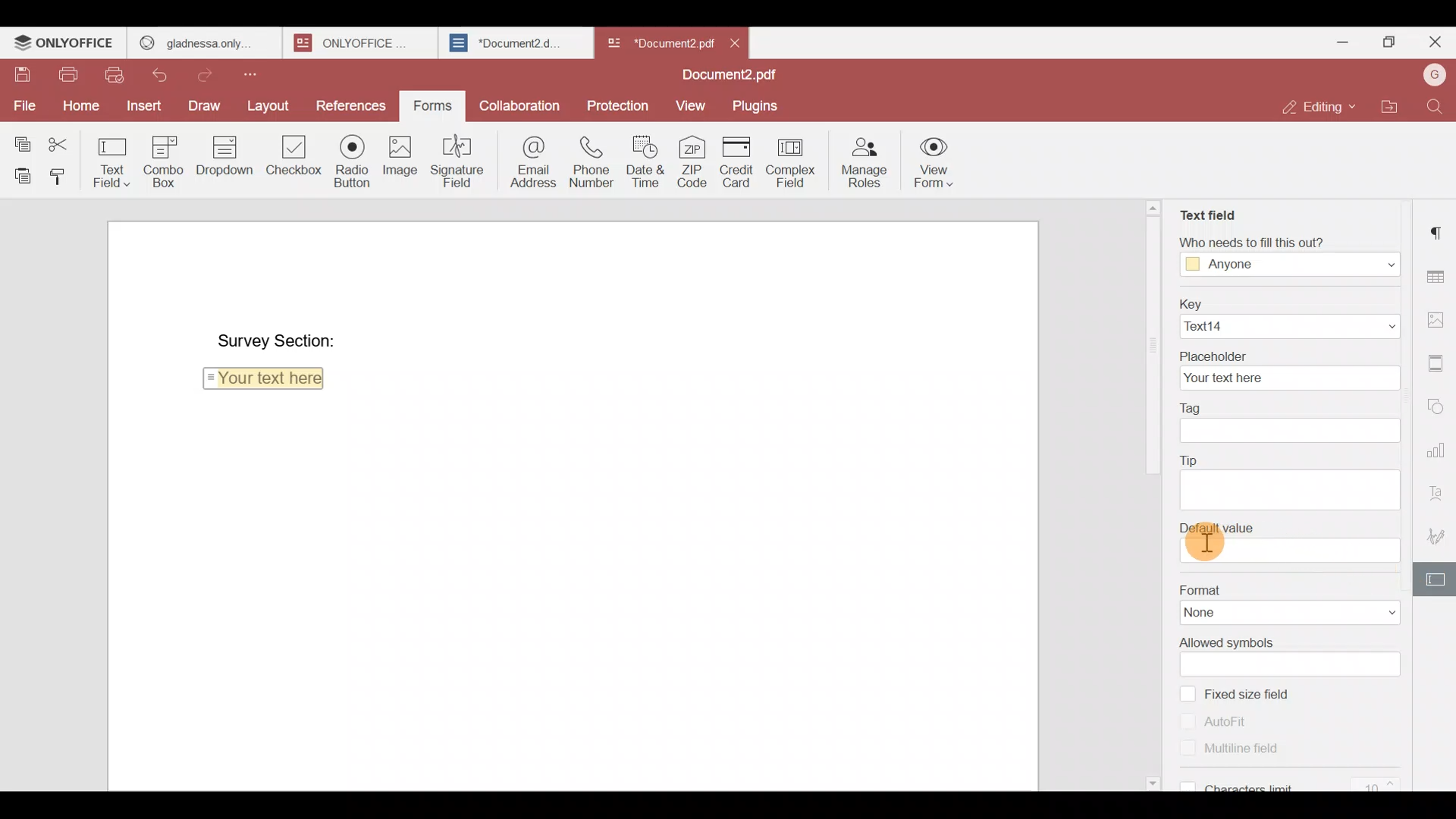 The image size is (1456, 819). What do you see at coordinates (1438, 315) in the screenshot?
I see `Image settings` at bounding box center [1438, 315].